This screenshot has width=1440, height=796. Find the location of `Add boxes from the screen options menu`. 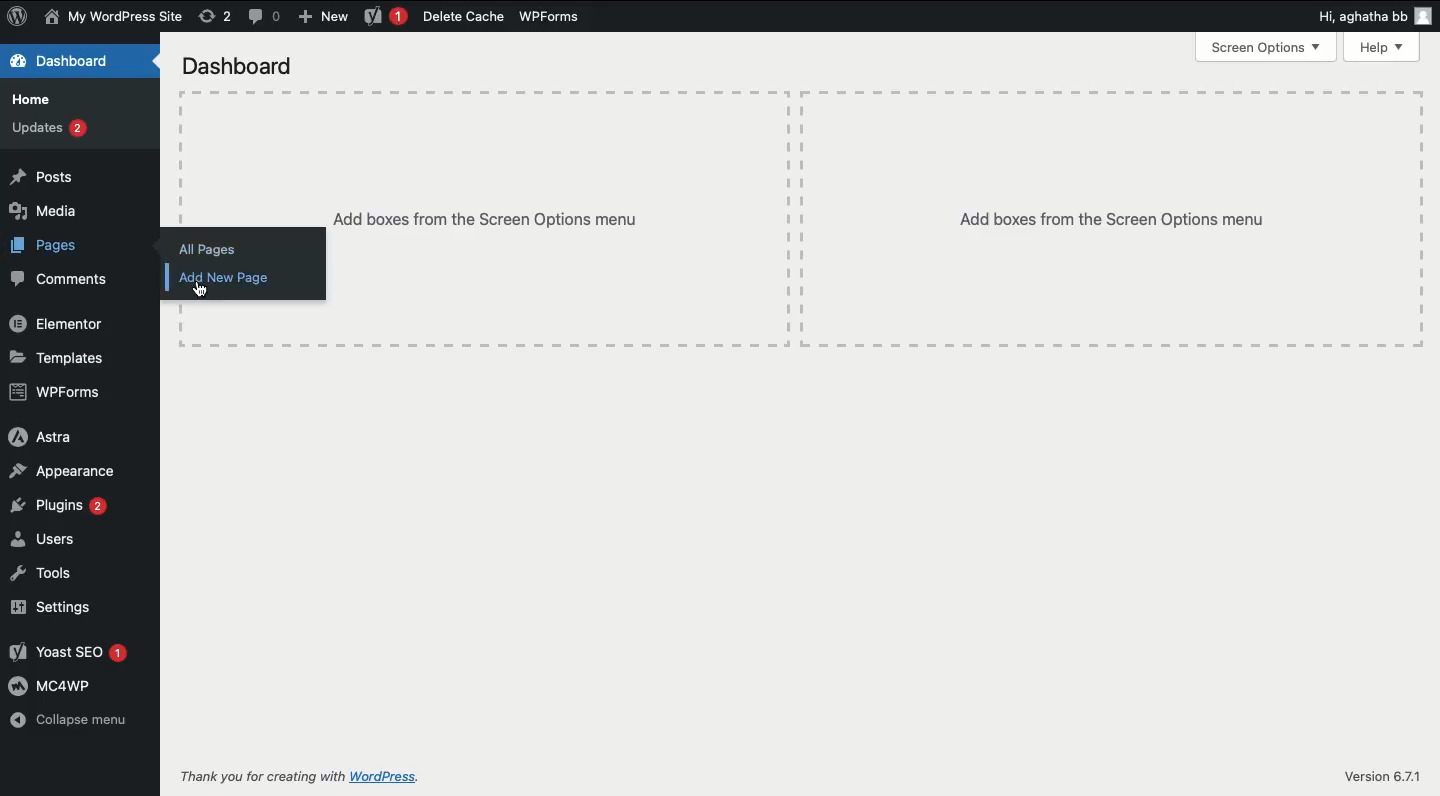

Add boxes from the screen options menu is located at coordinates (1103, 221).